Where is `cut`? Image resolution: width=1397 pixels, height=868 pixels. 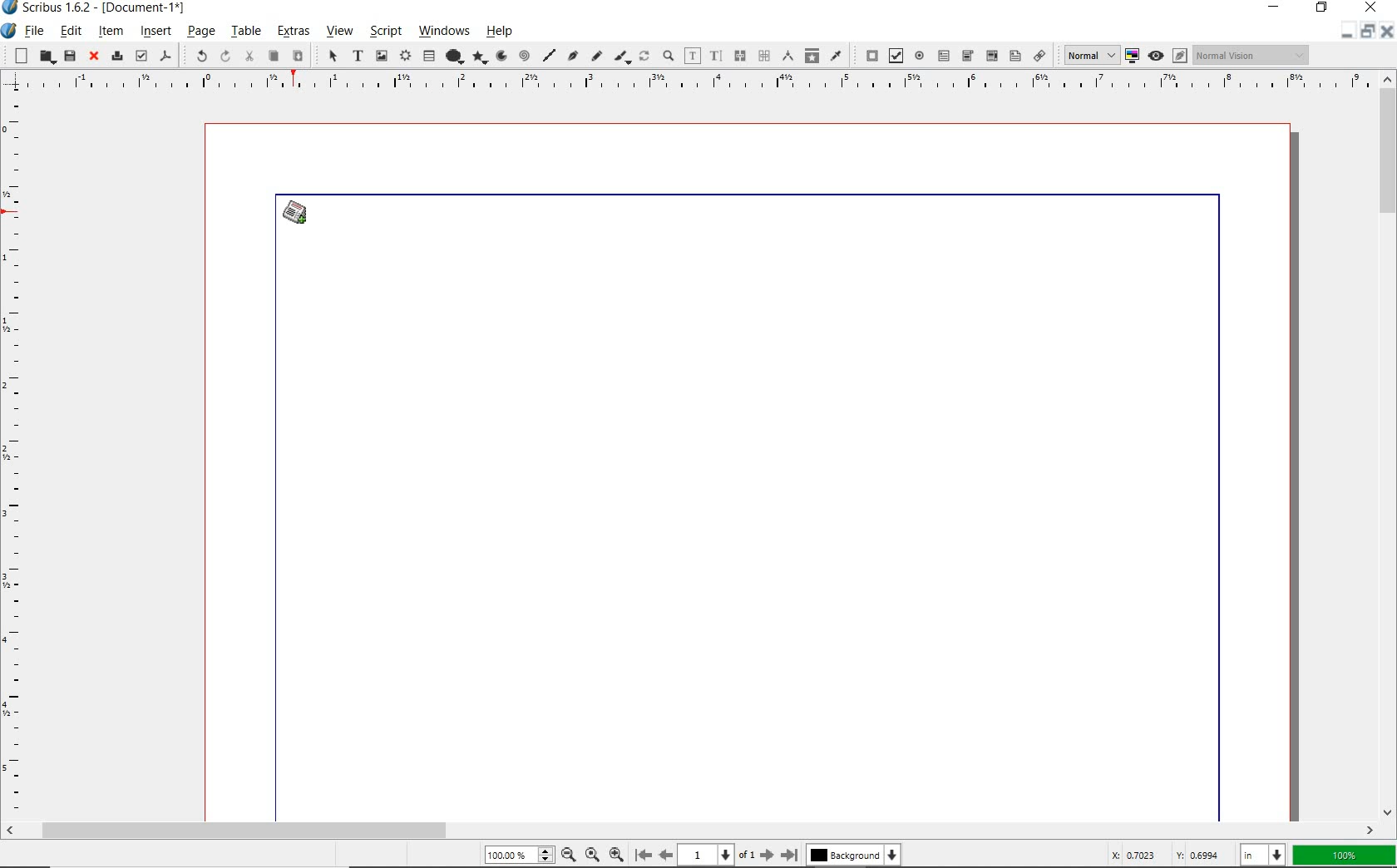 cut is located at coordinates (251, 57).